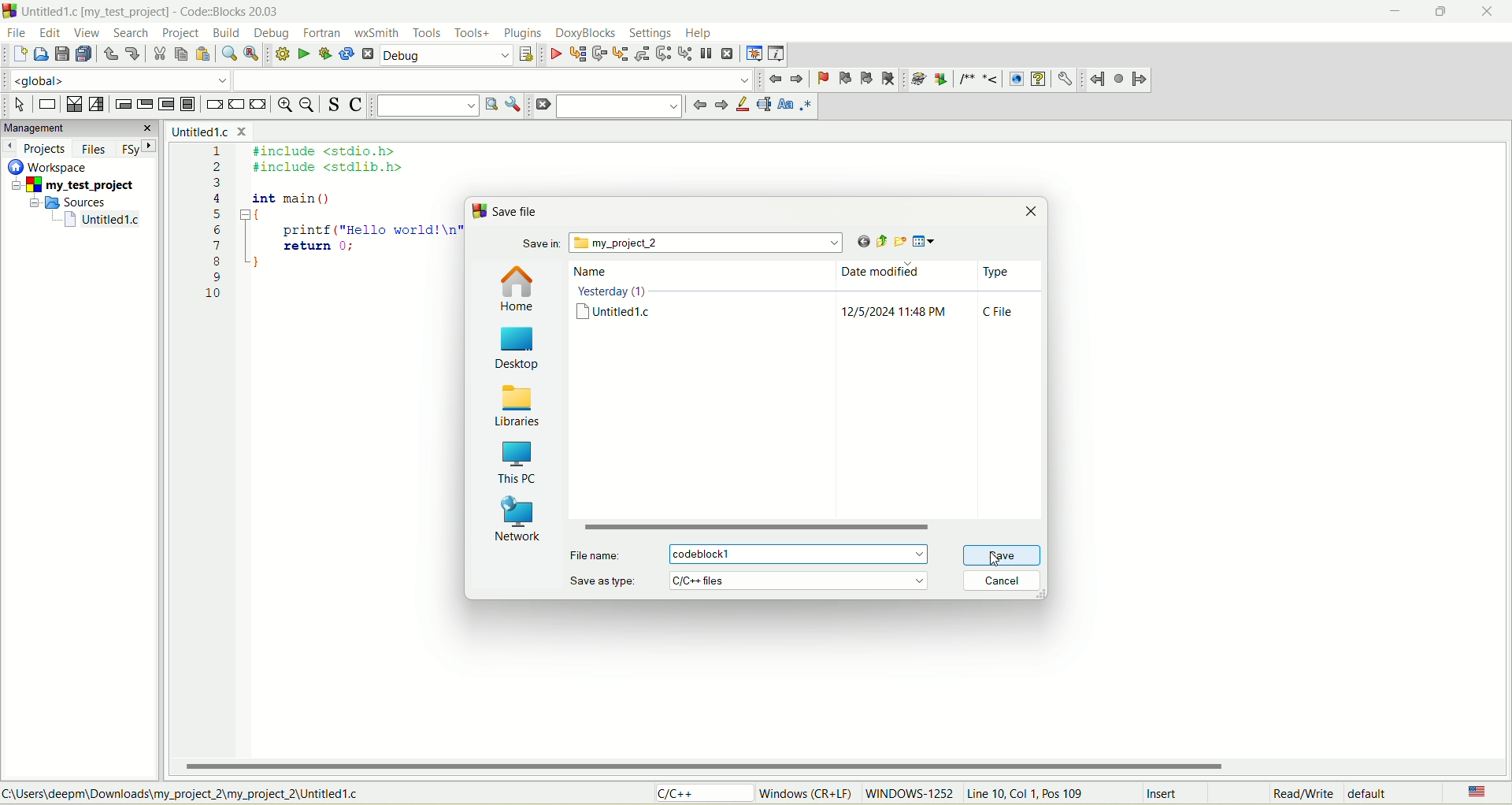 This screenshot has height=805, width=1512. Describe the element at coordinates (346, 55) in the screenshot. I see `rebuild` at that location.